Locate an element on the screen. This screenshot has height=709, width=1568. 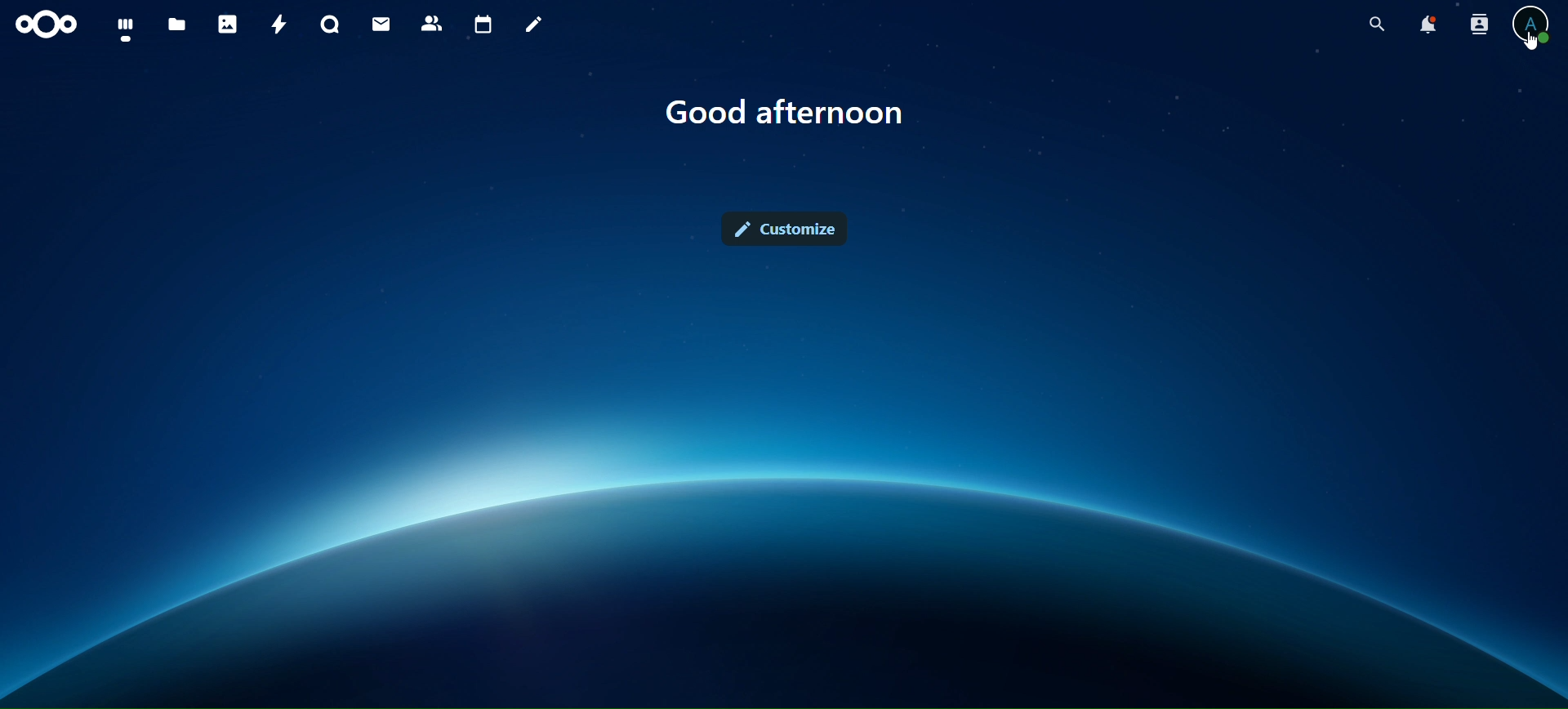
customize is located at coordinates (784, 230).